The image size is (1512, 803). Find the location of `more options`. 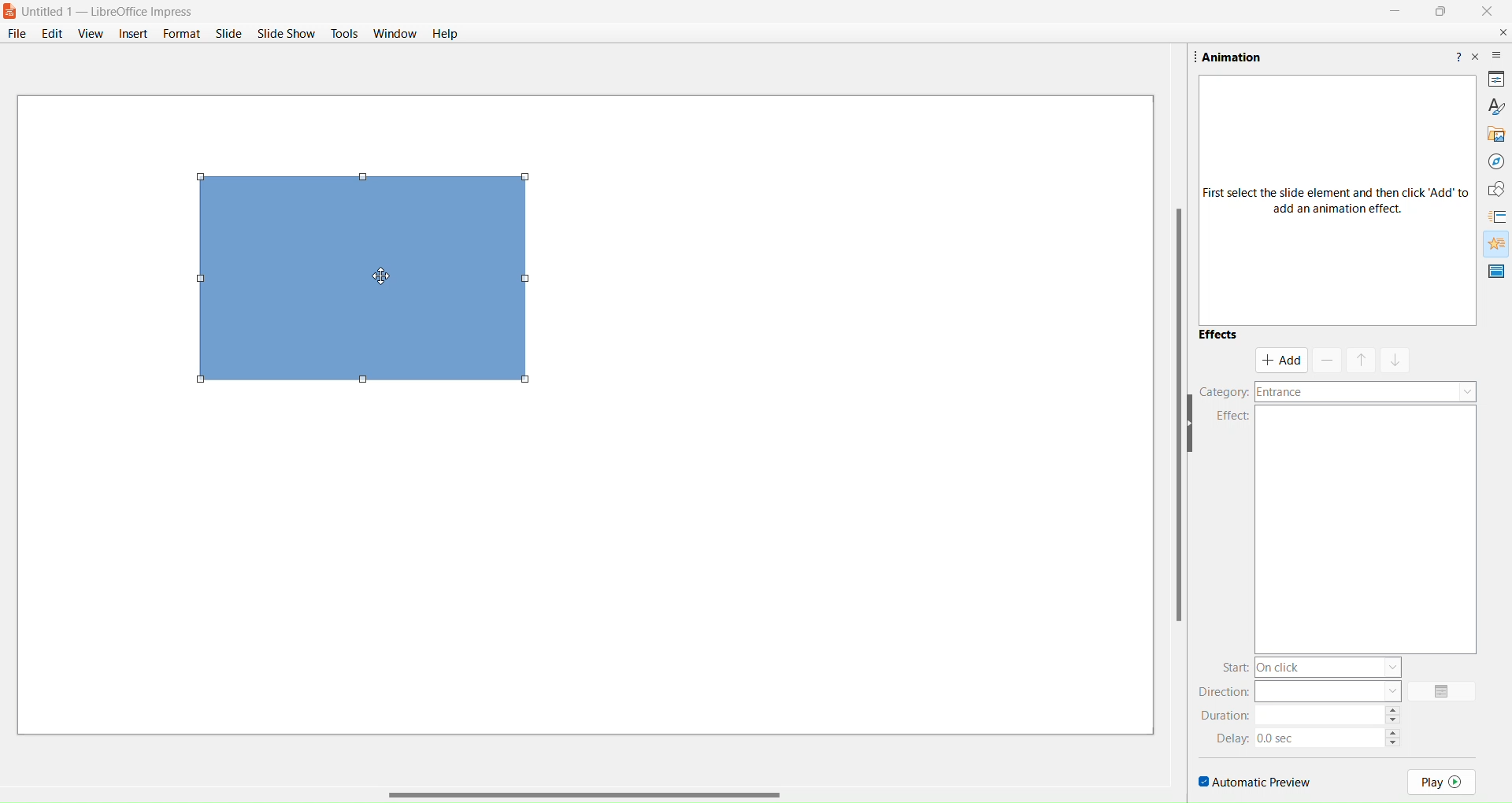

more options is located at coordinates (1497, 55).